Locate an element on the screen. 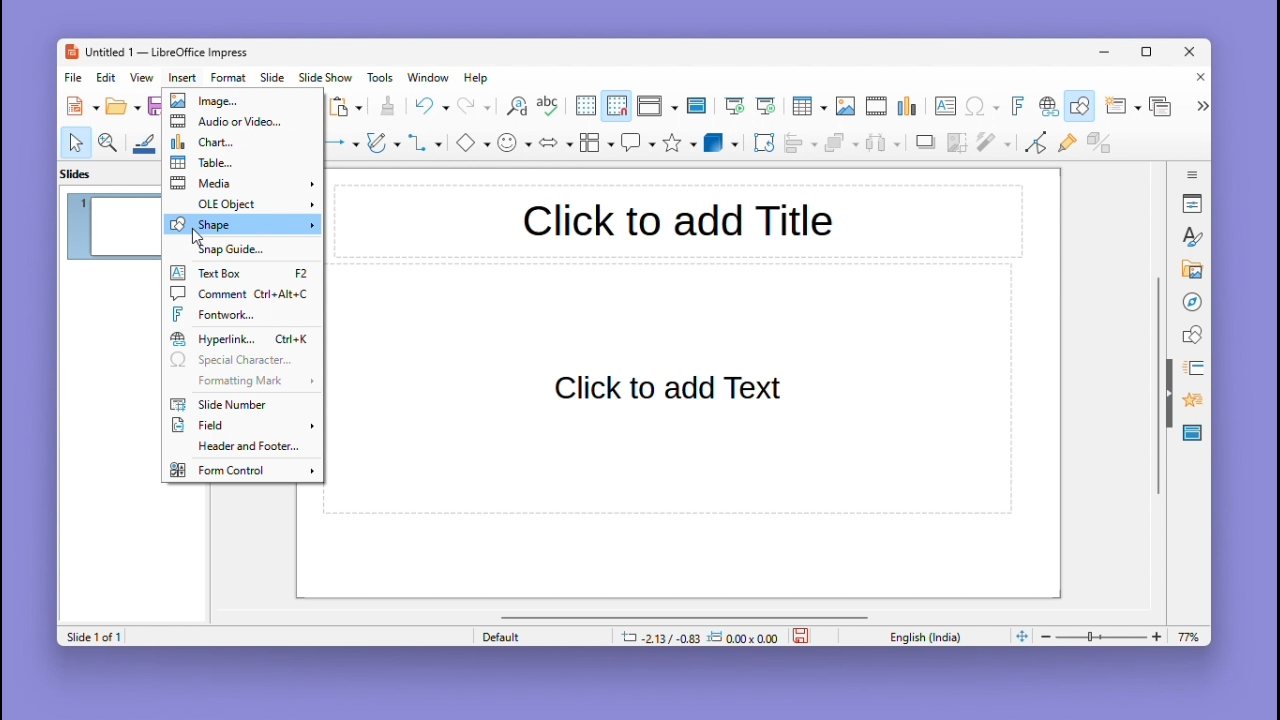  Gallery is located at coordinates (1189, 270).